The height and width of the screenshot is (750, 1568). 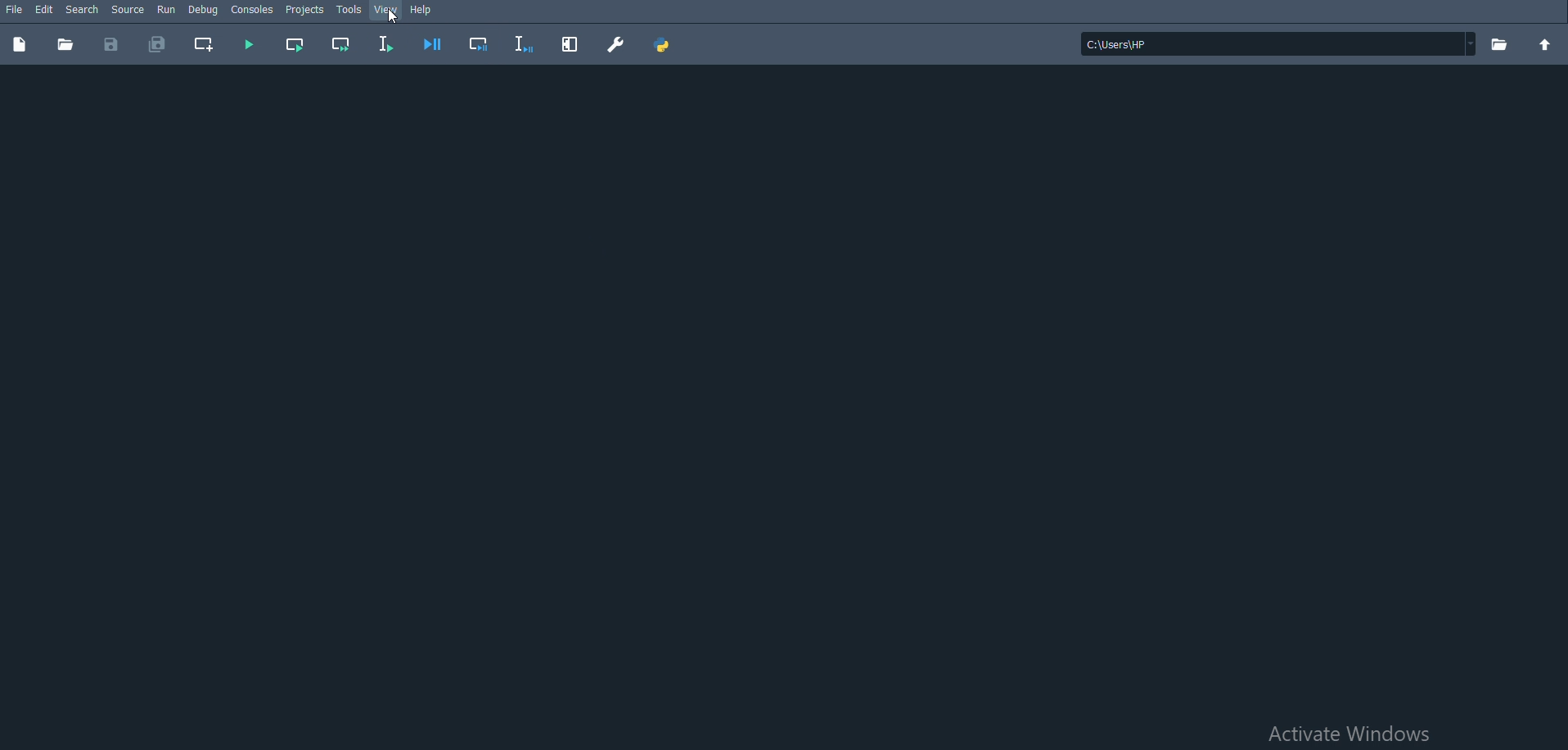 What do you see at coordinates (128, 8) in the screenshot?
I see `Source` at bounding box center [128, 8].